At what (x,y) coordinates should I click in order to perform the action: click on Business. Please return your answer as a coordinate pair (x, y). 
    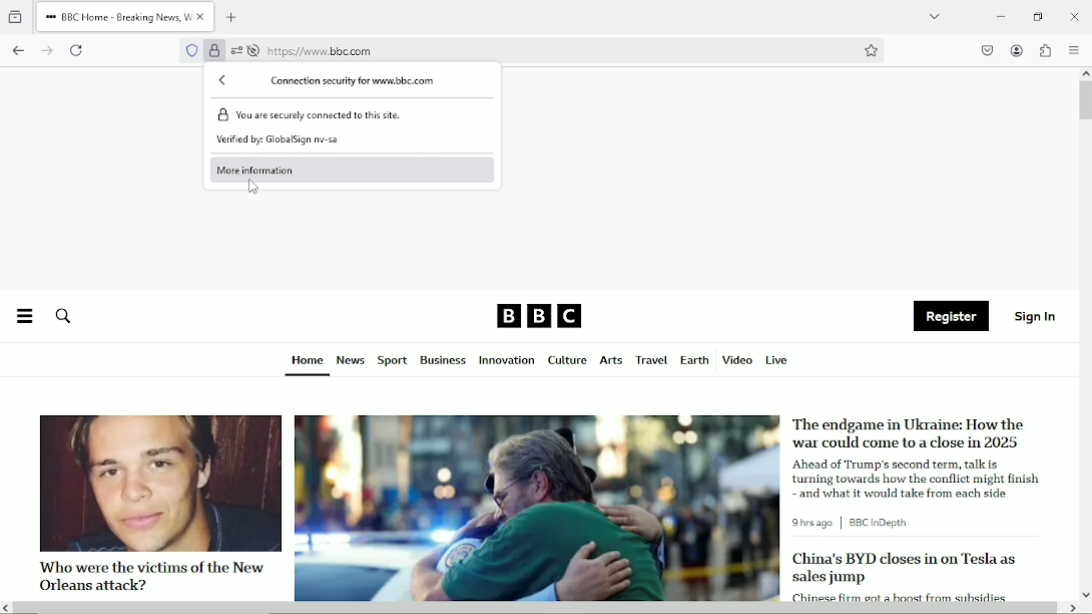
    Looking at the image, I should click on (443, 360).